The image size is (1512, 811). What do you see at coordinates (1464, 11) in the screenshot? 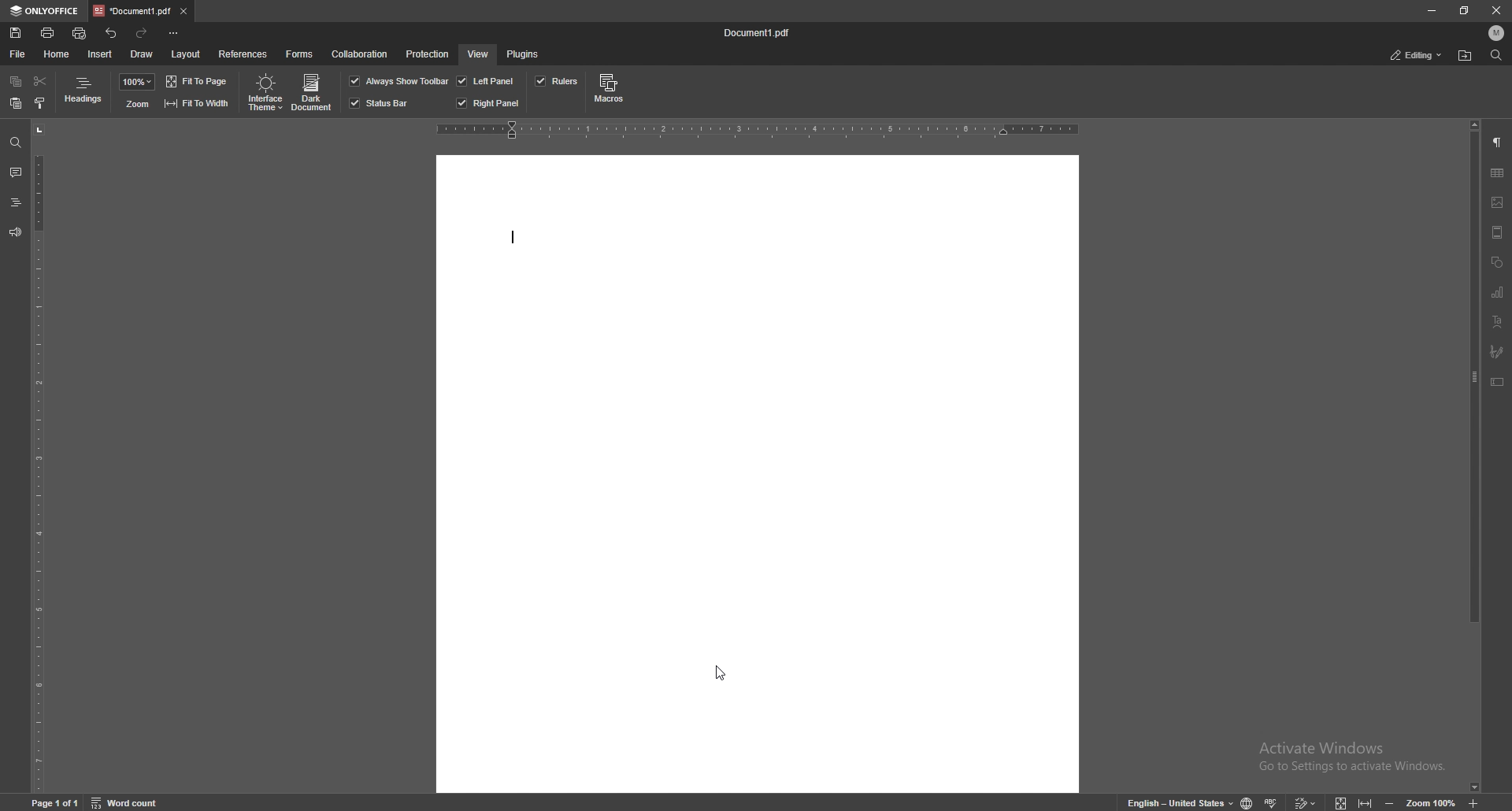
I see `resize` at bounding box center [1464, 11].